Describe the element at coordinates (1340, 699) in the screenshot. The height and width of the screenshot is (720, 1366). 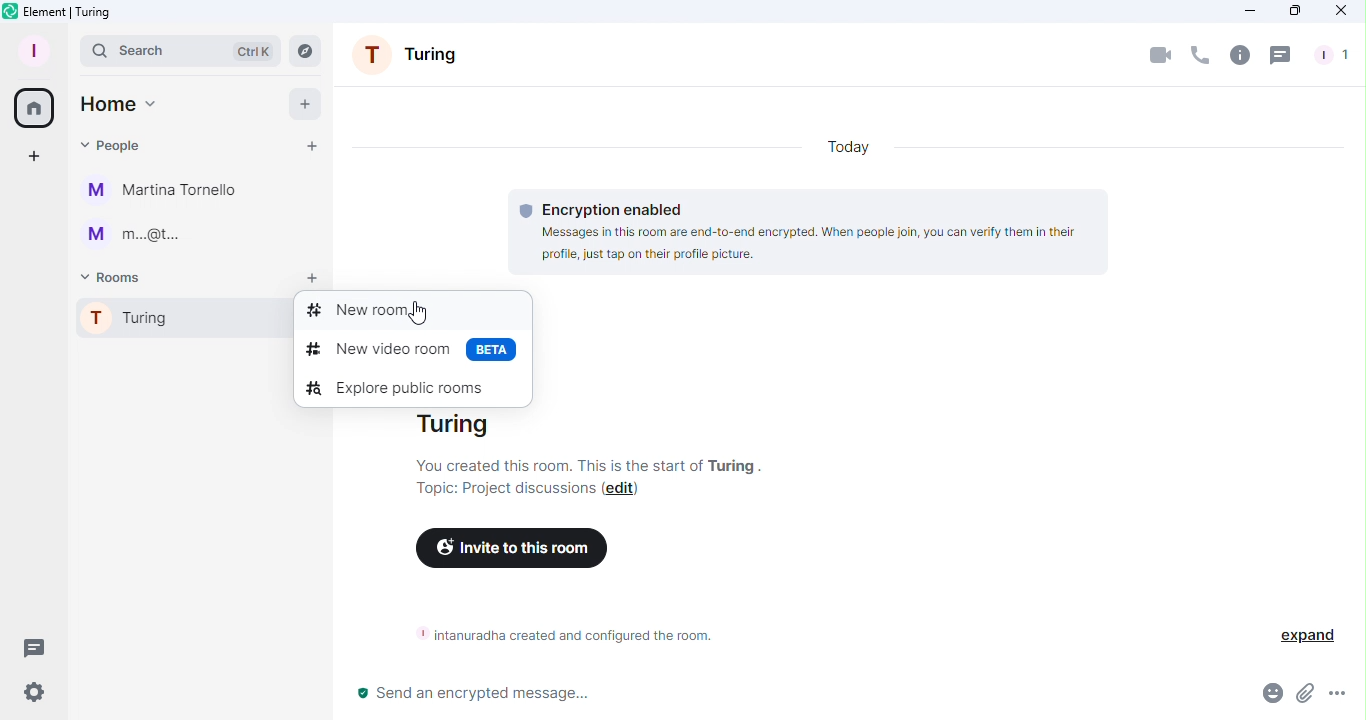
I see `More options` at that location.